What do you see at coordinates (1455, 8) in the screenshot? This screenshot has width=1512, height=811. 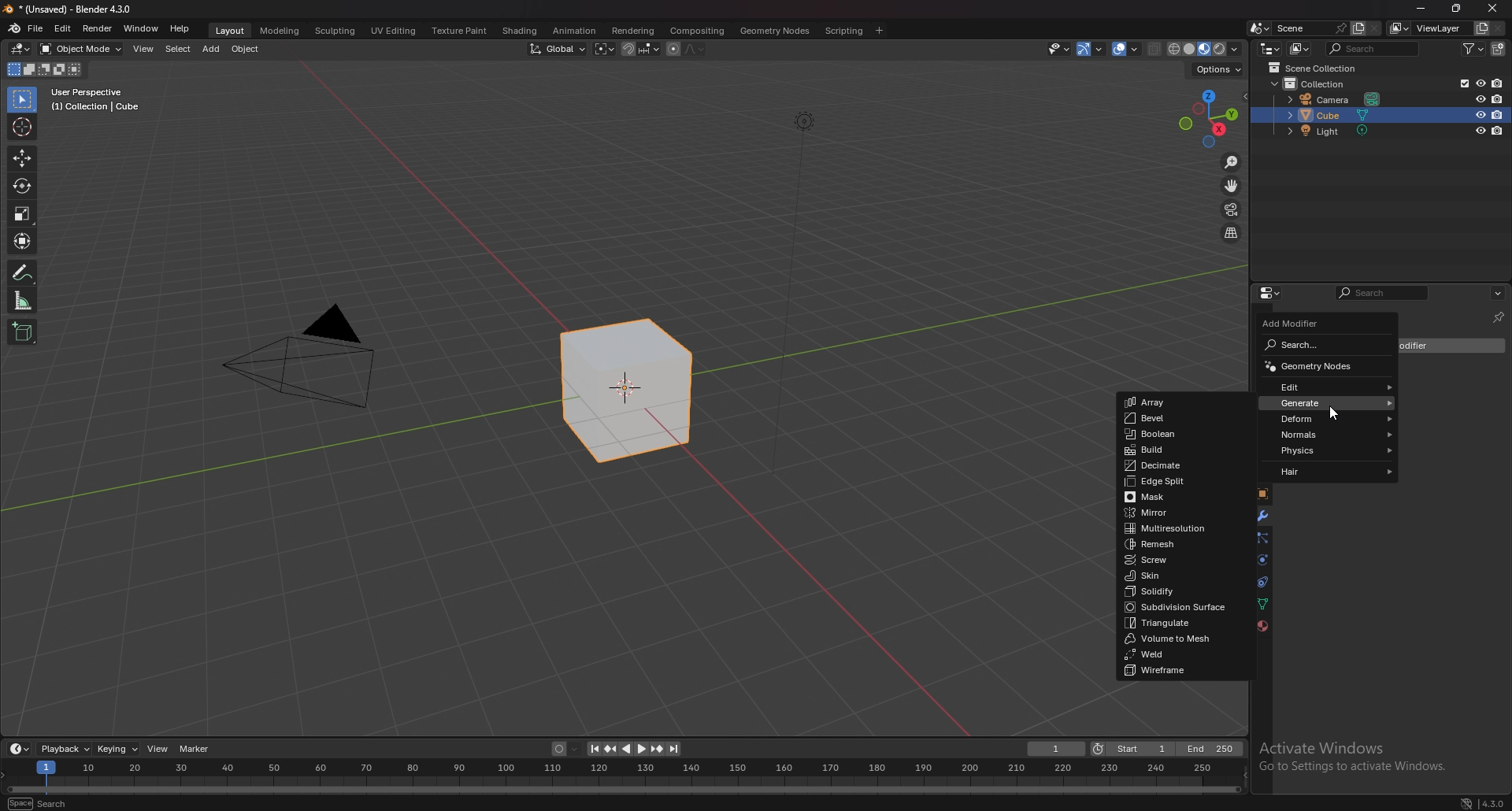 I see `resize` at bounding box center [1455, 8].